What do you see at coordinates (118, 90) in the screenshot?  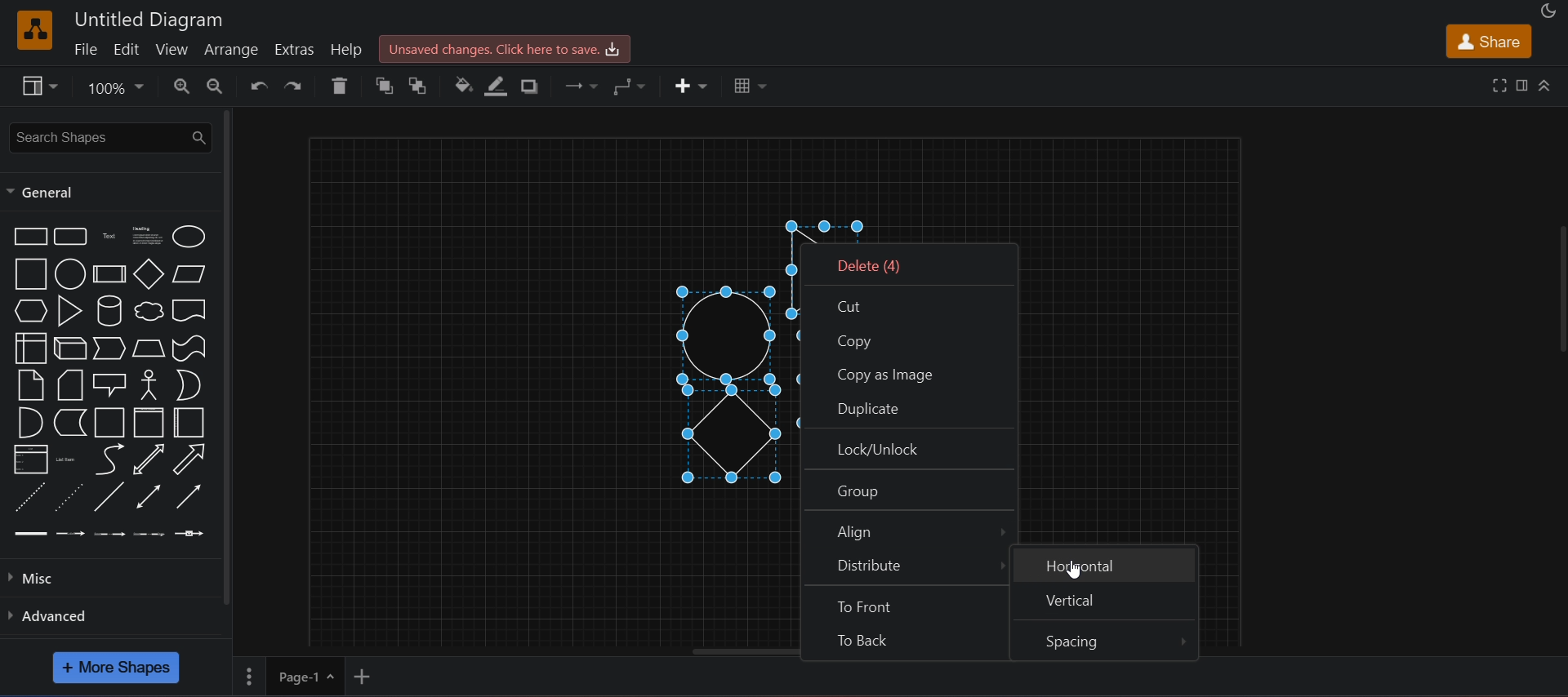 I see `zoom` at bounding box center [118, 90].